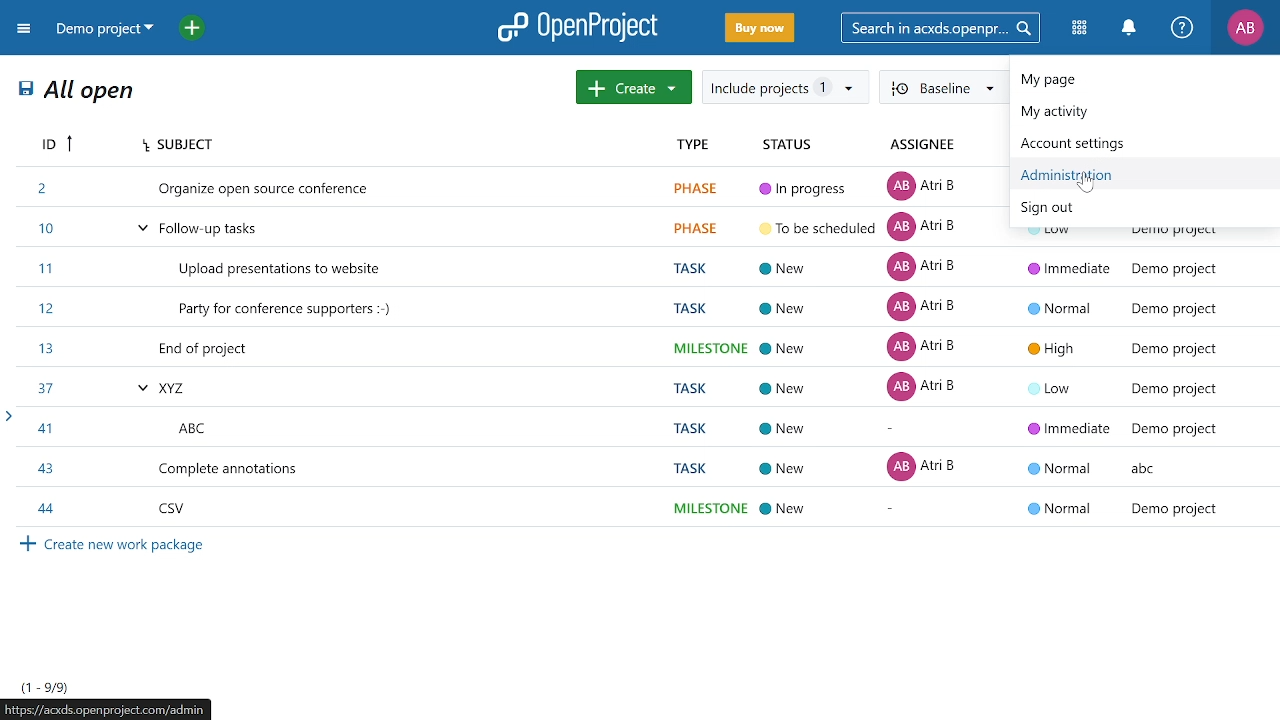  What do you see at coordinates (783, 87) in the screenshot?
I see `include projects` at bounding box center [783, 87].